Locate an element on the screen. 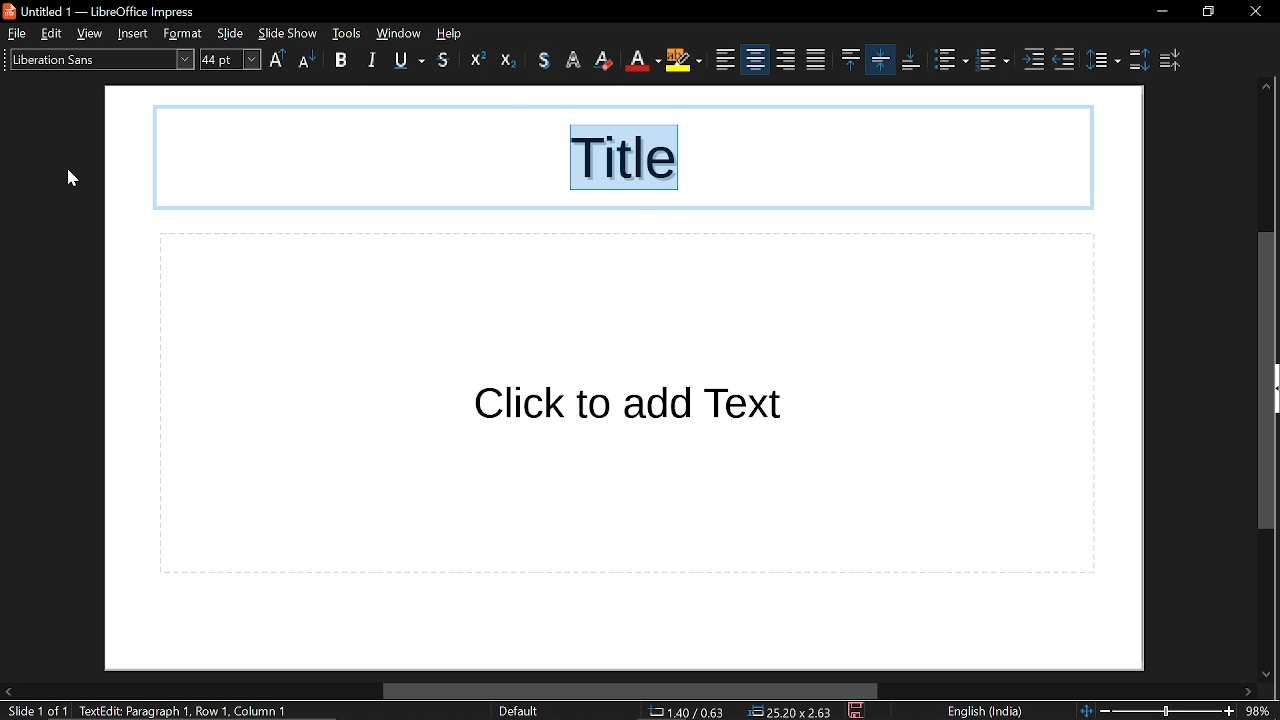  move up is located at coordinates (1265, 88).